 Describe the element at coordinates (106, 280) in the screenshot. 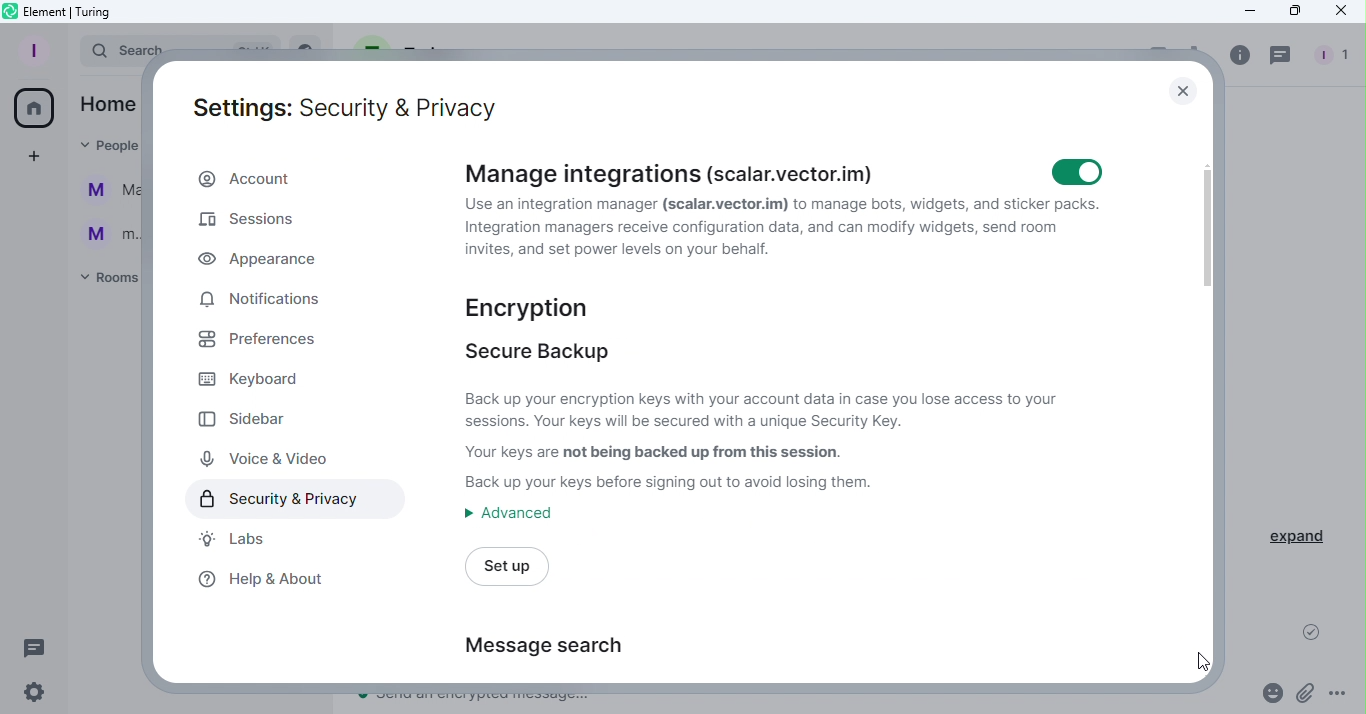

I see `Rooms` at that location.